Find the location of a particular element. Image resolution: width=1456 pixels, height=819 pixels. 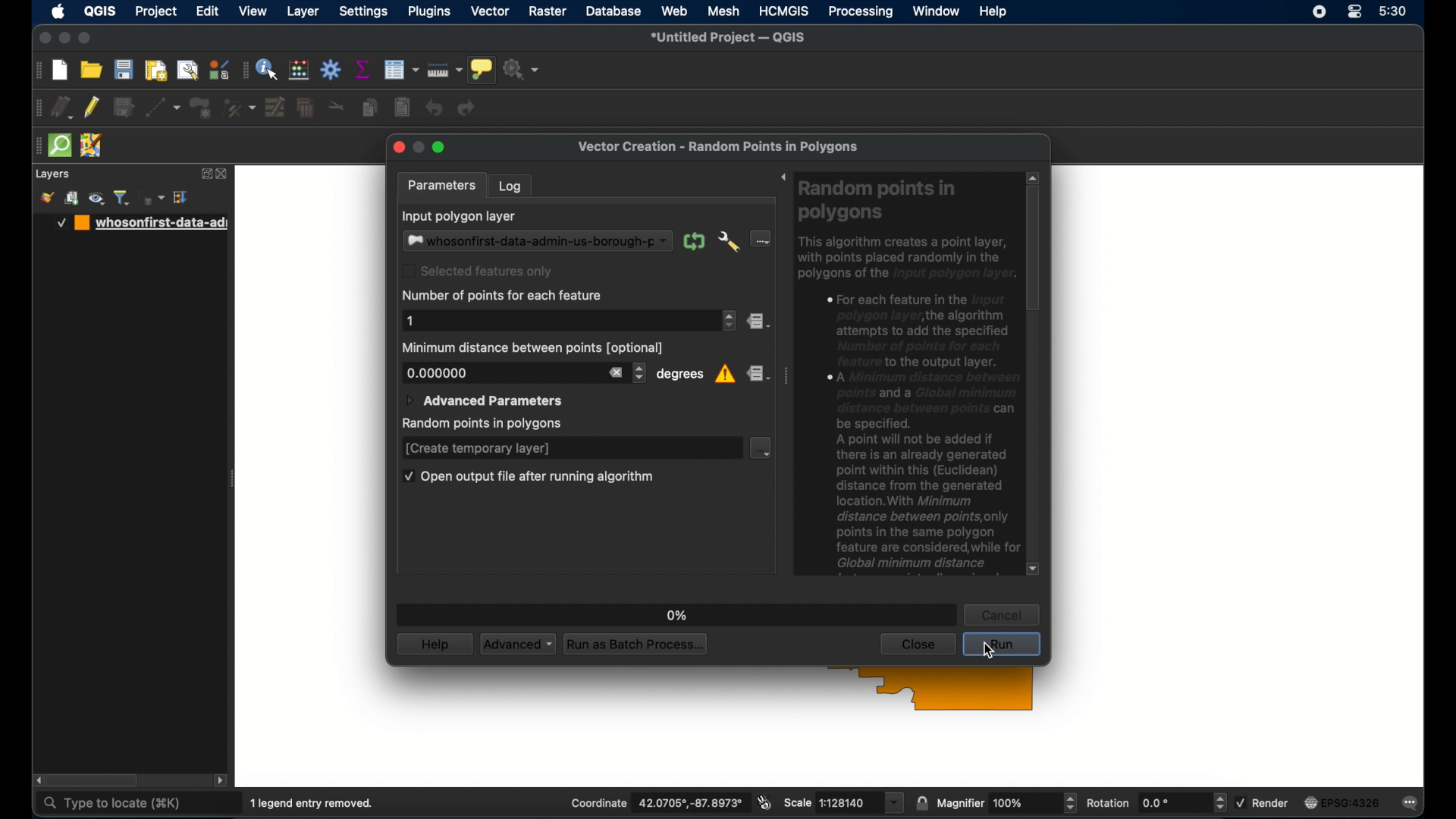

Cursor is located at coordinates (992, 651).